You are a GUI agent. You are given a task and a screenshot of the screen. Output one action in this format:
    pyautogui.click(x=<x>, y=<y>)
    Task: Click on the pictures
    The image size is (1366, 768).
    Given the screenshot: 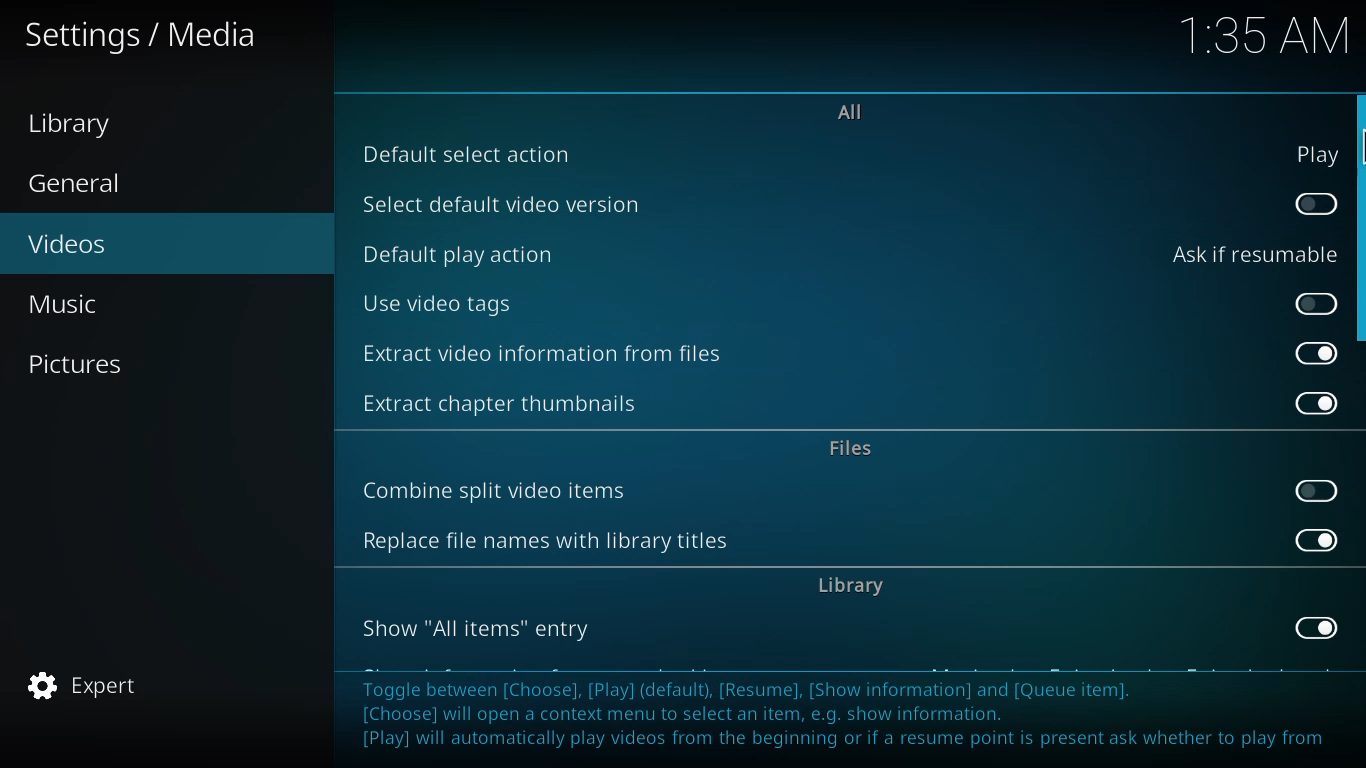 What is the action you would take?
    pyautogui.click(x=79, y=363)
    